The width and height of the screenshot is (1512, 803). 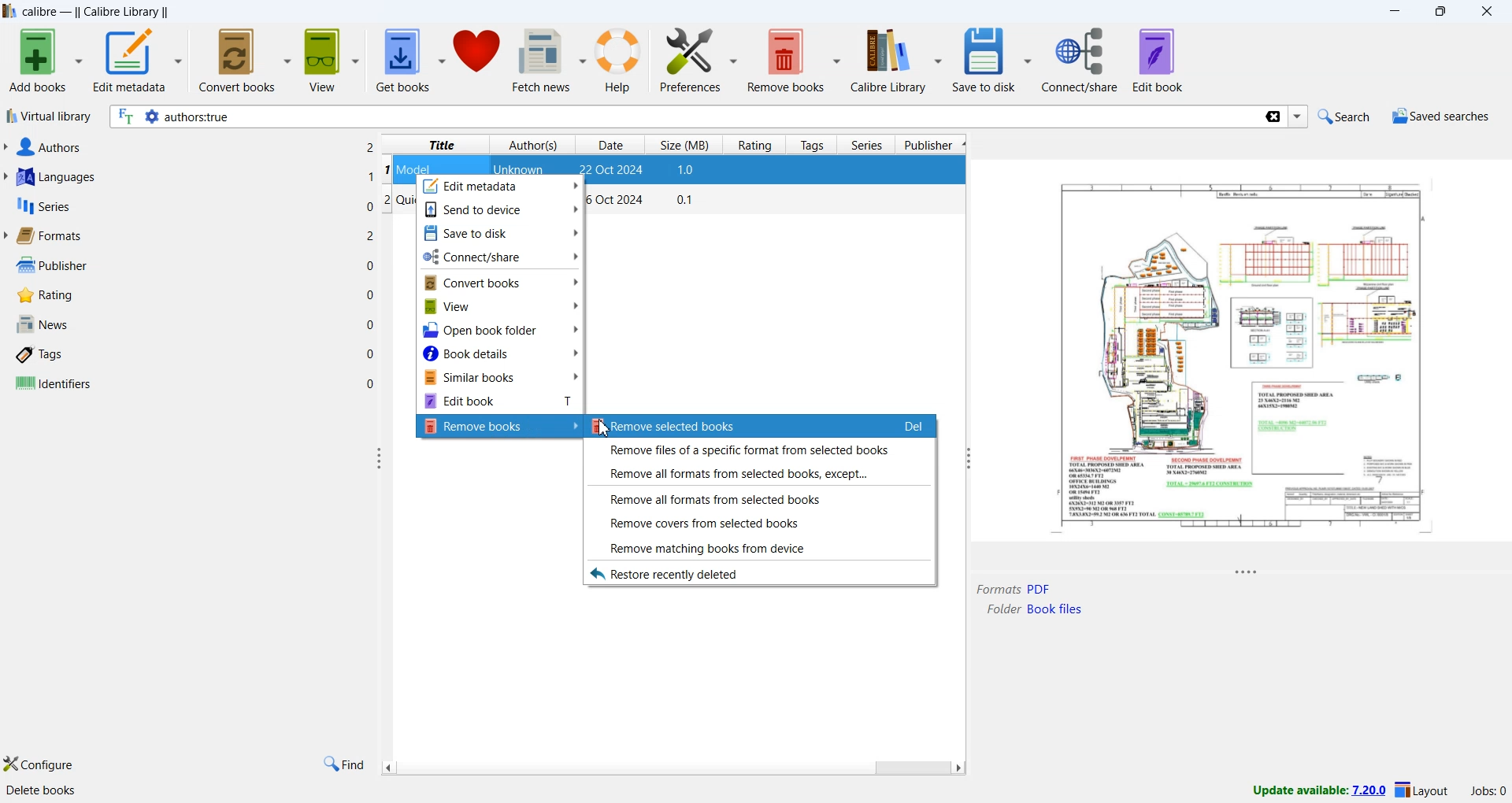 What do you see at coordinates (343, 764) in the screenshot?
I see `find` at bounding box center [343, 764].